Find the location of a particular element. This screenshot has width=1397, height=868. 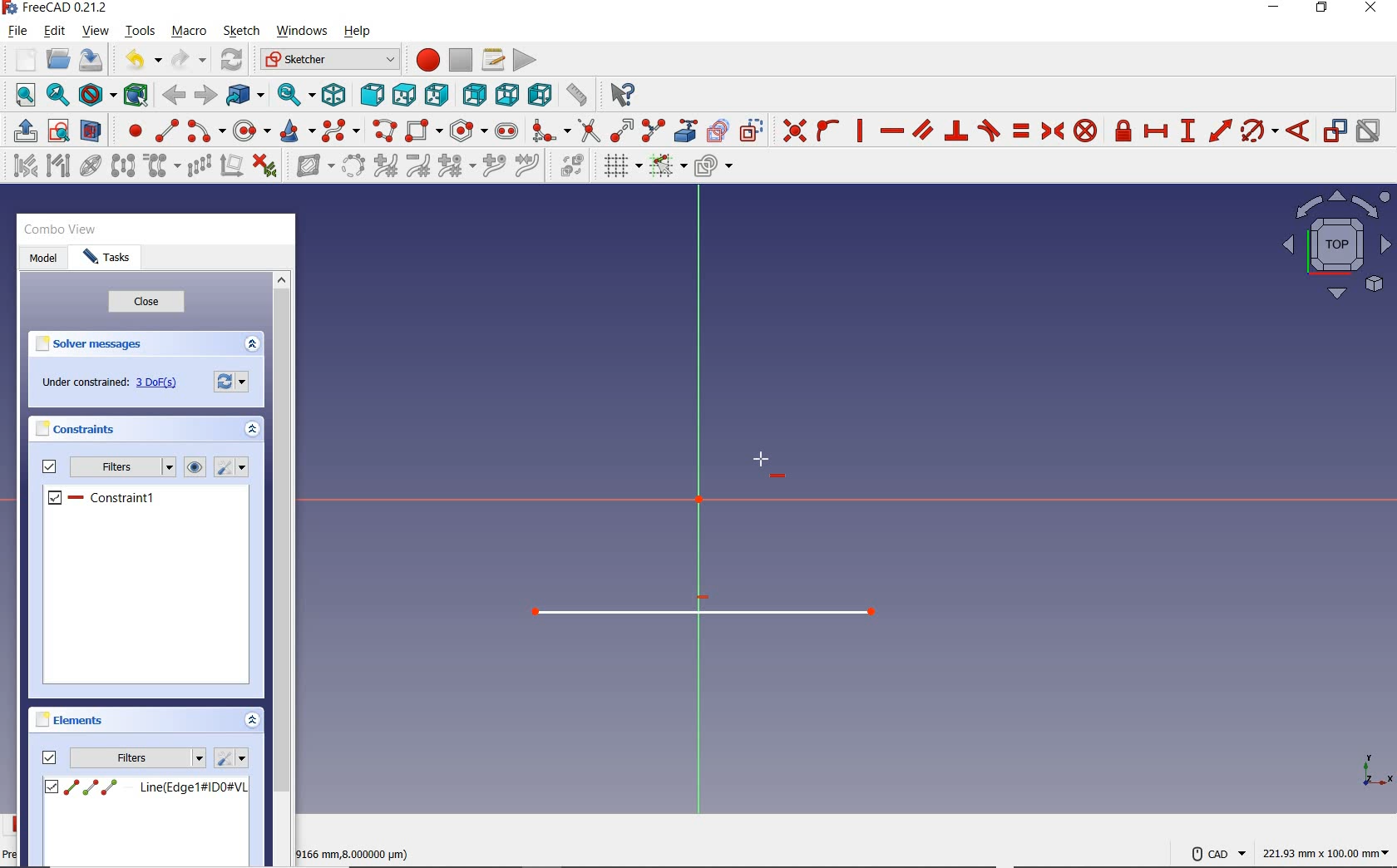

VIEW is located at coordinates (96, 32).